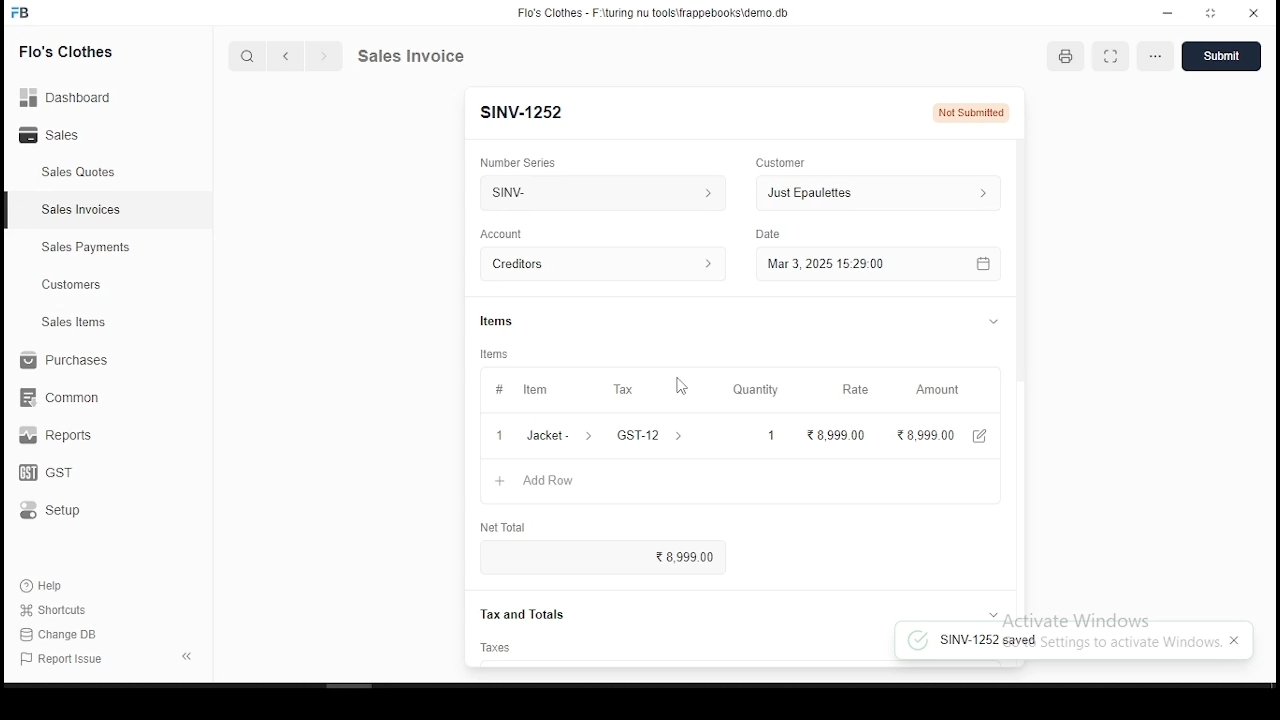 This screenshot has height=720, width=1280. I want to click on scan, so click(1114, 57).